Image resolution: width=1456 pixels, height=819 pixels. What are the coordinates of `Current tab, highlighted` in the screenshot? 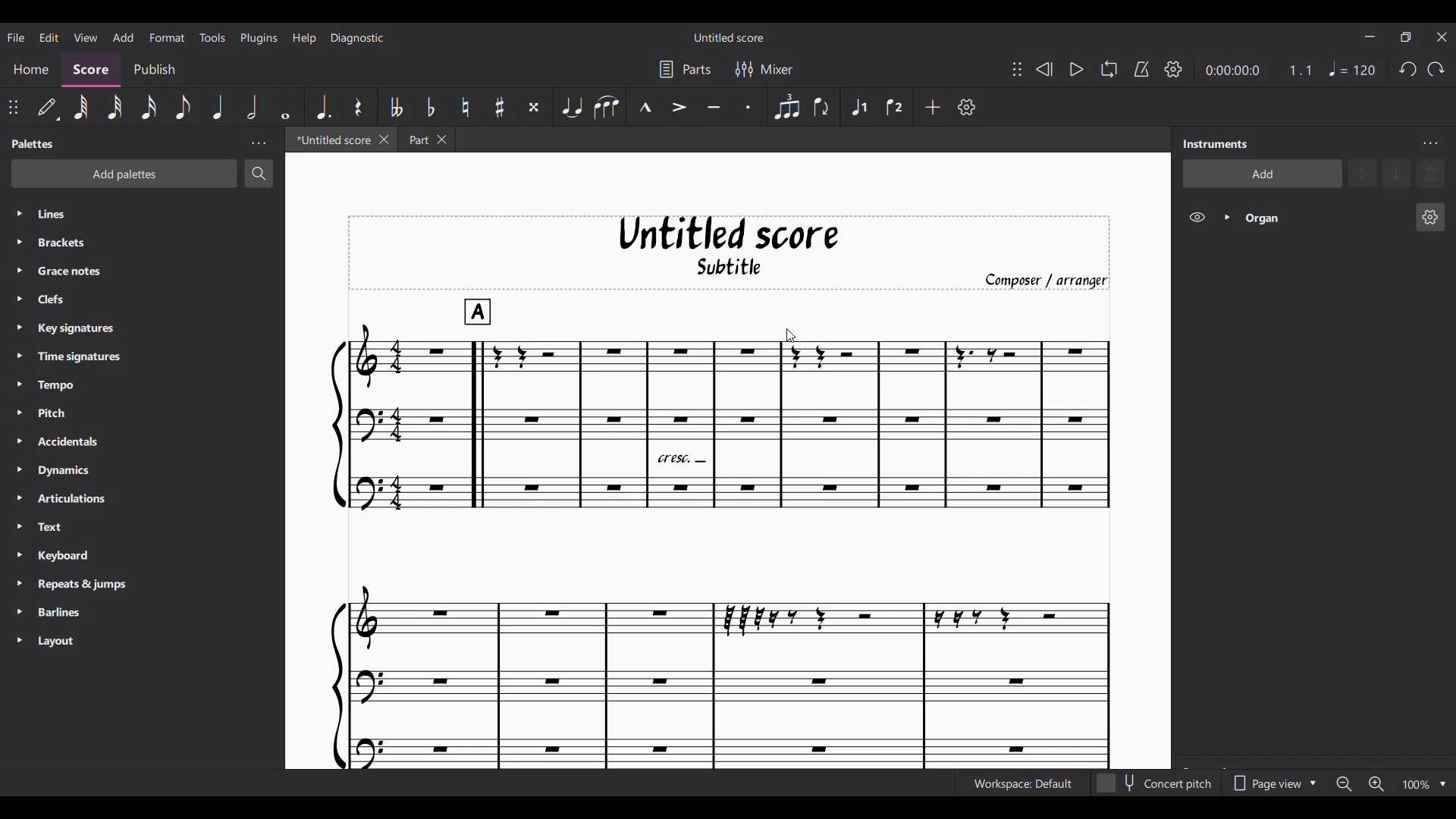 It's located at (332, 140).